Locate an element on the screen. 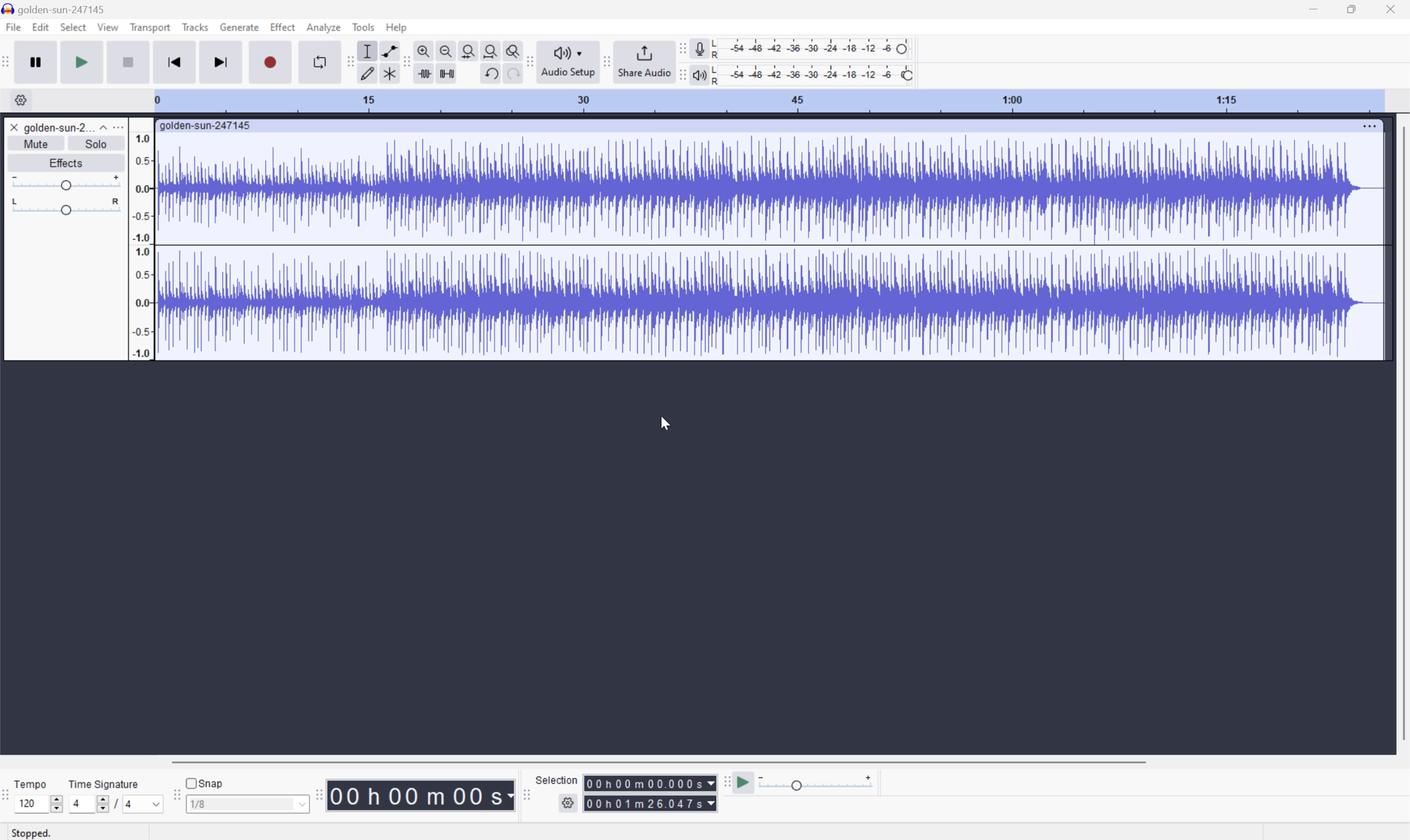  Audacity selection toolbar is located at coordinates (526, 798).